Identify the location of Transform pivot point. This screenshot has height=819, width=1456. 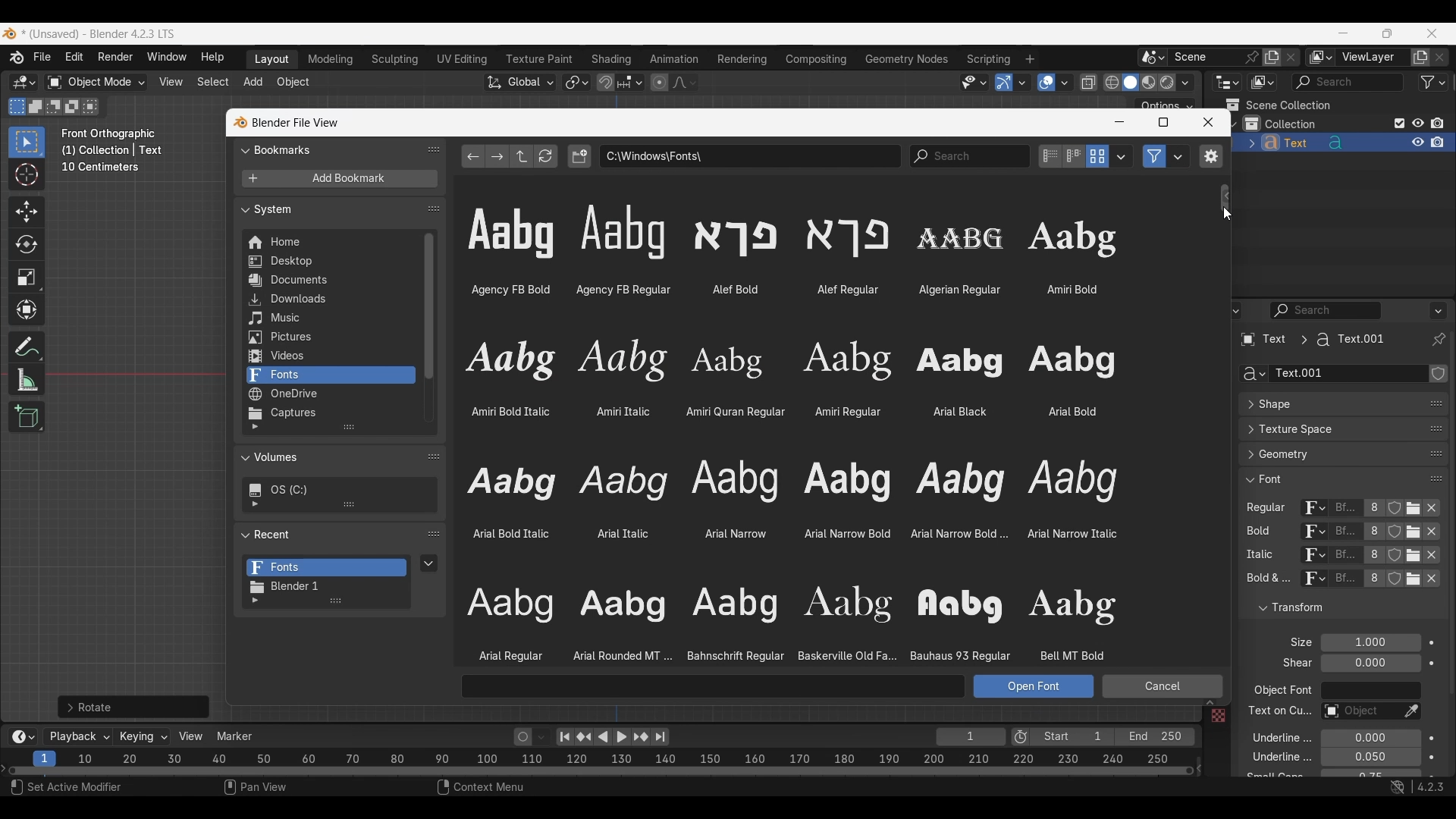
(576, 83).